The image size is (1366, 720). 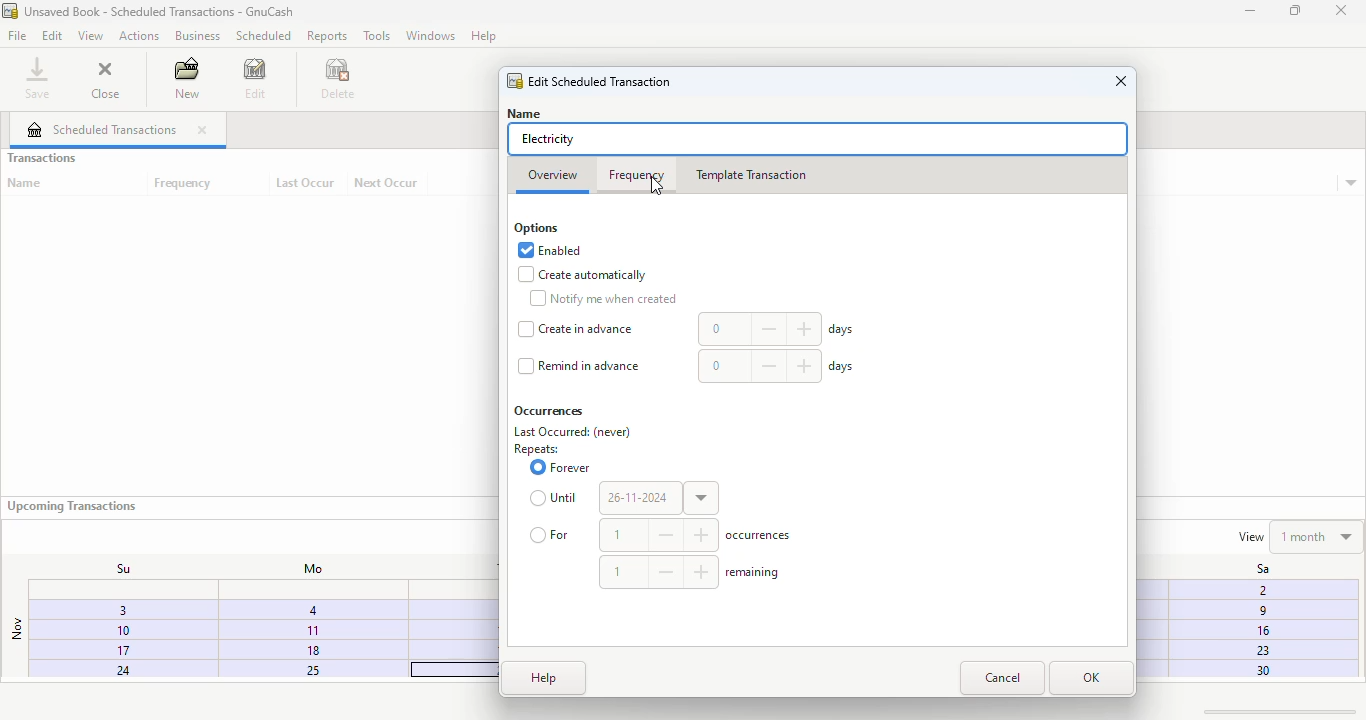 I want to click on business, so click(x=197, y=35).